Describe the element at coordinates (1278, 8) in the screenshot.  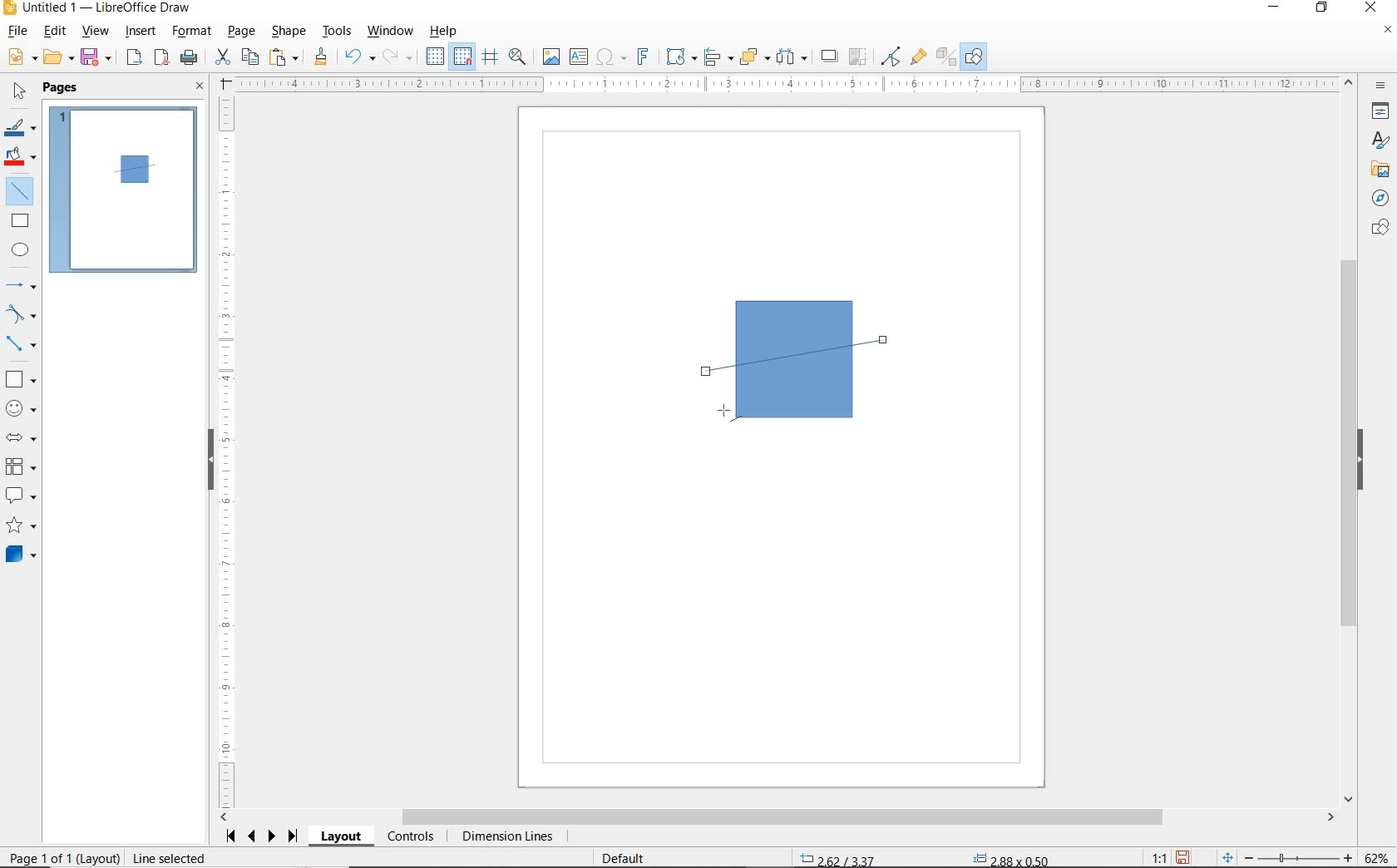
I see `MINIMIZE` at that location.